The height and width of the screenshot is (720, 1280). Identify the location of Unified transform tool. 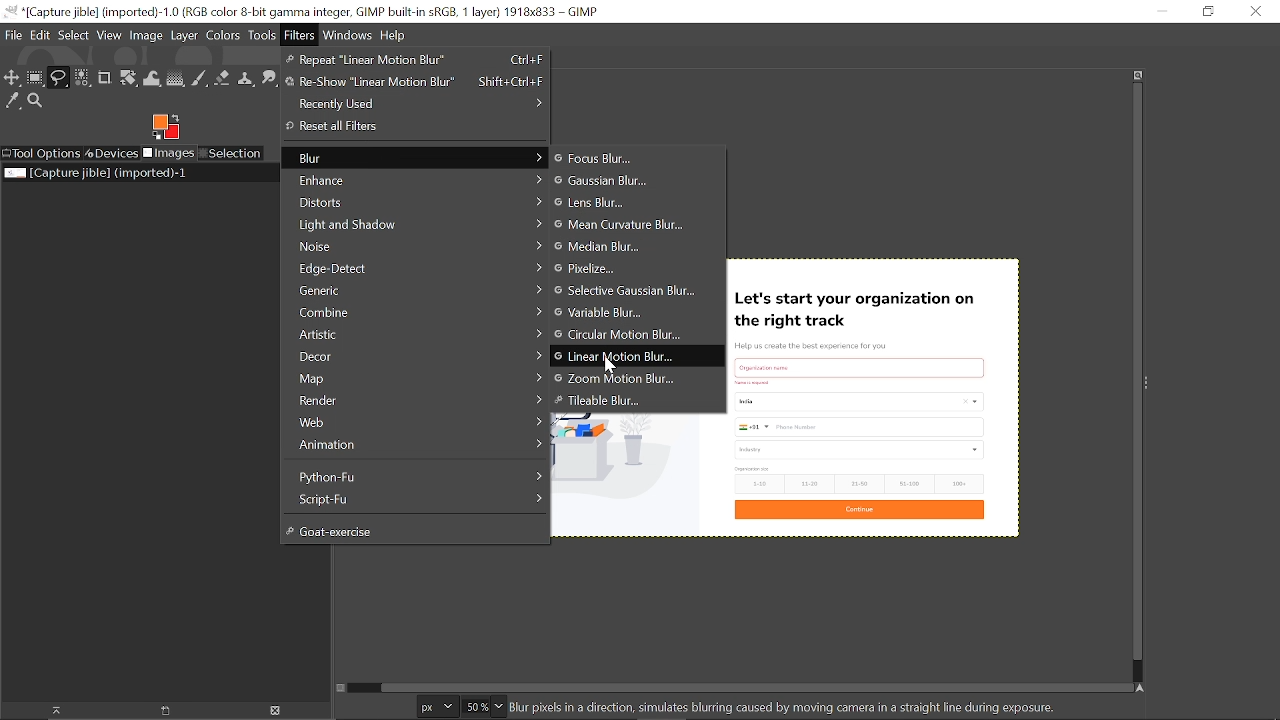
(128, 79).